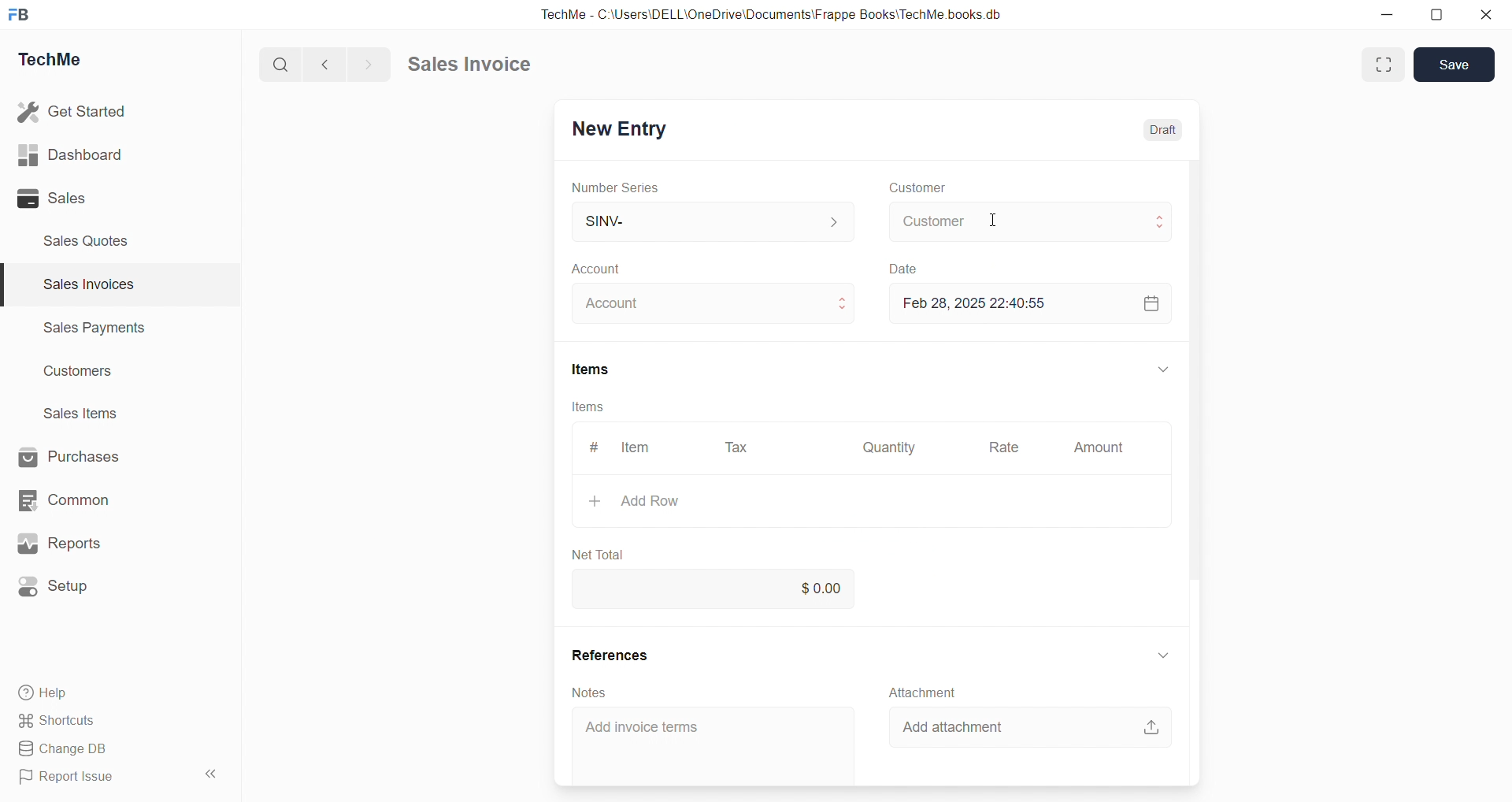  I want to click on Report Issue, so click(71, 774).